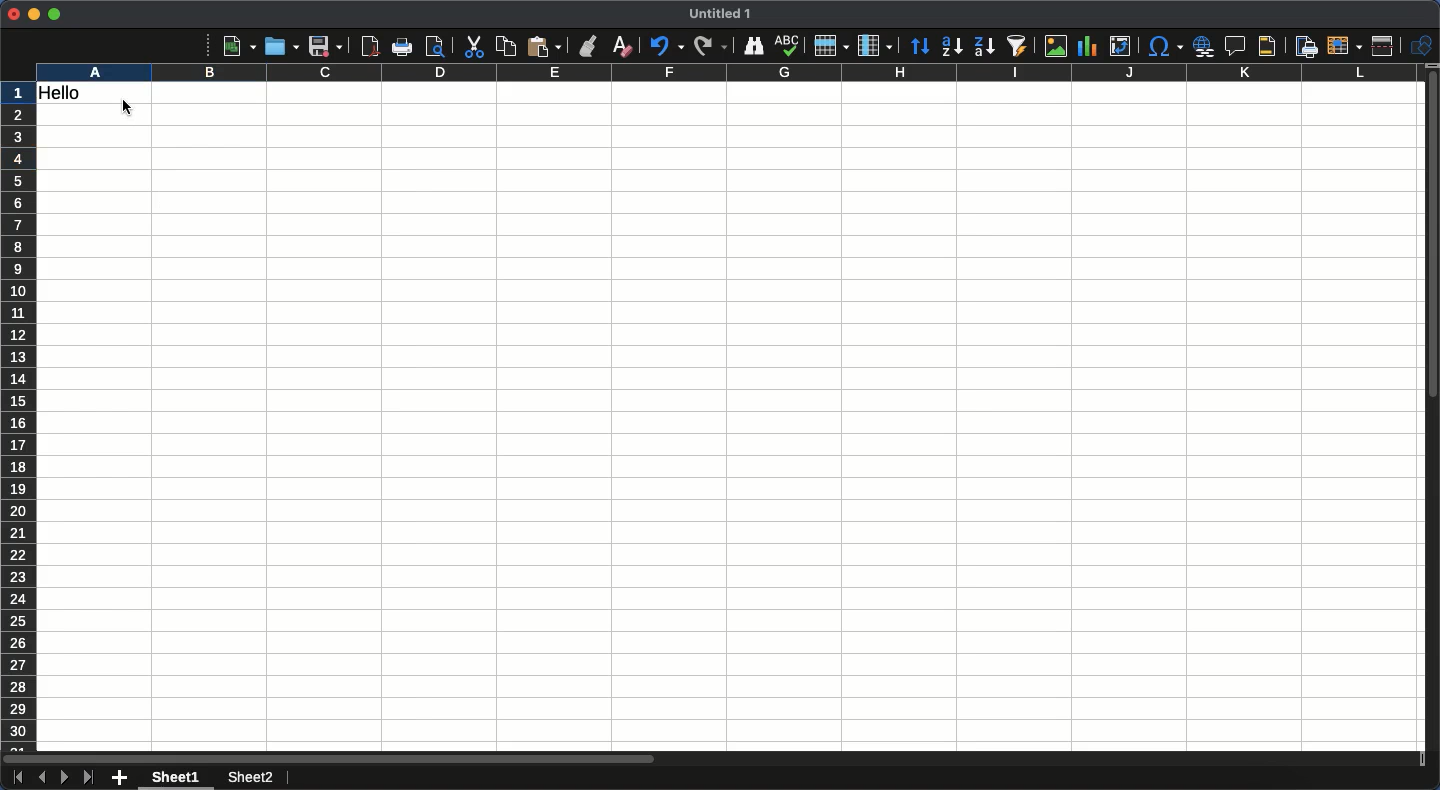  I want to click on Last sheet, so click(88, 777).